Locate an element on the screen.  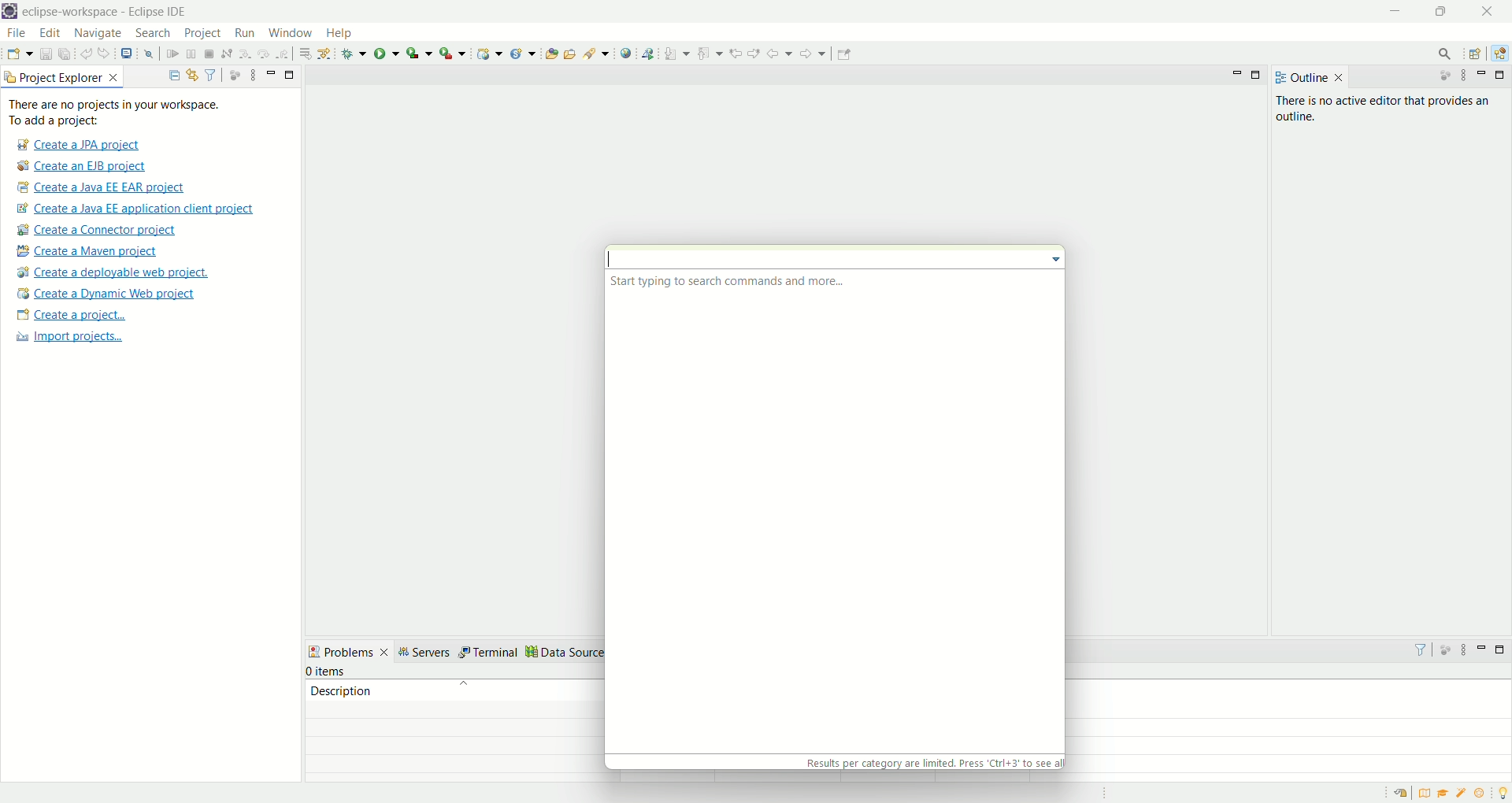
resume is located at coordinates (169, 54).